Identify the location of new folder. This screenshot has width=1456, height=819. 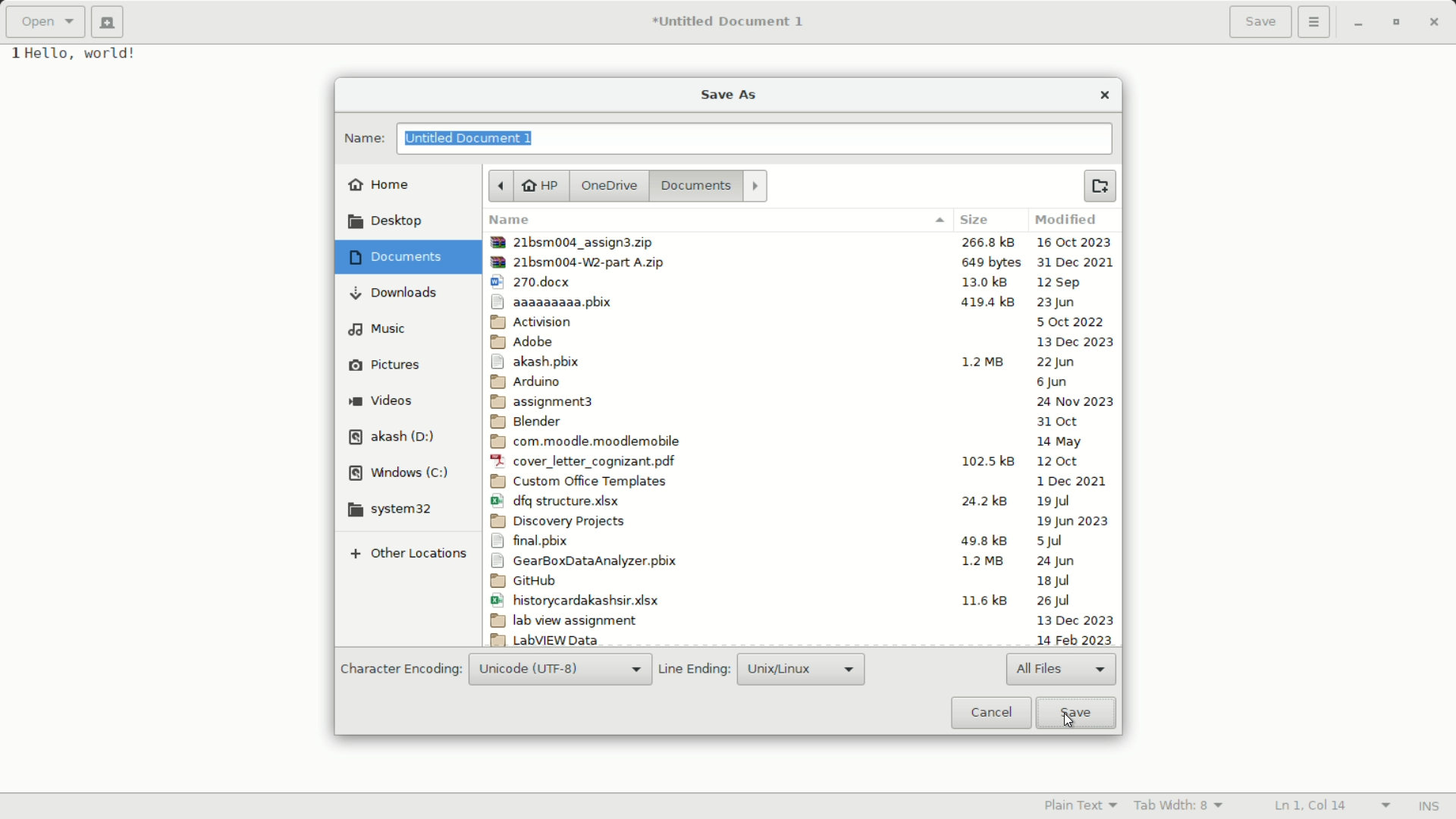
(1099, 186).